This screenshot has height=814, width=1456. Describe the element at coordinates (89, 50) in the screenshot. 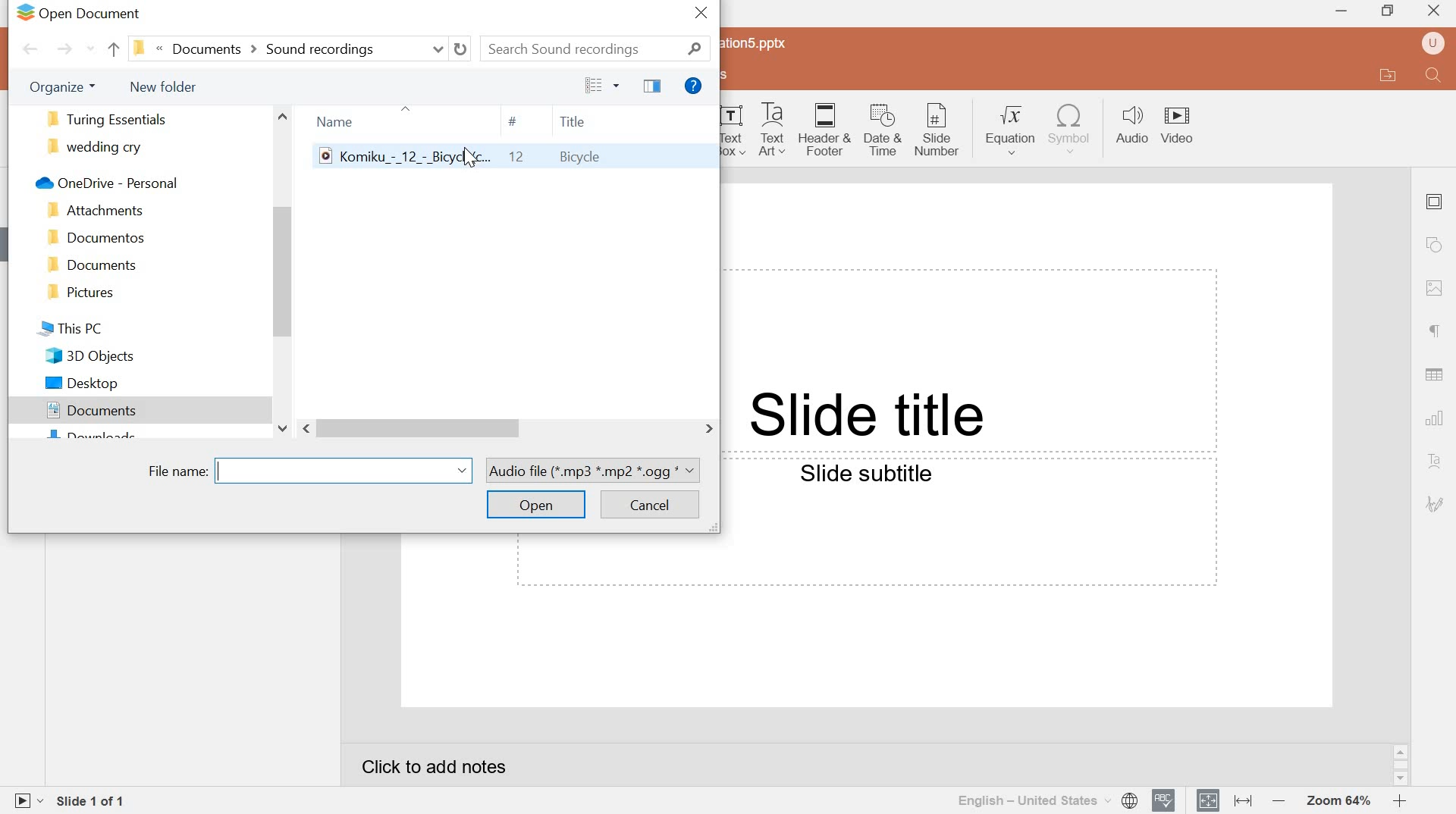

I see `recent locations` at that location.